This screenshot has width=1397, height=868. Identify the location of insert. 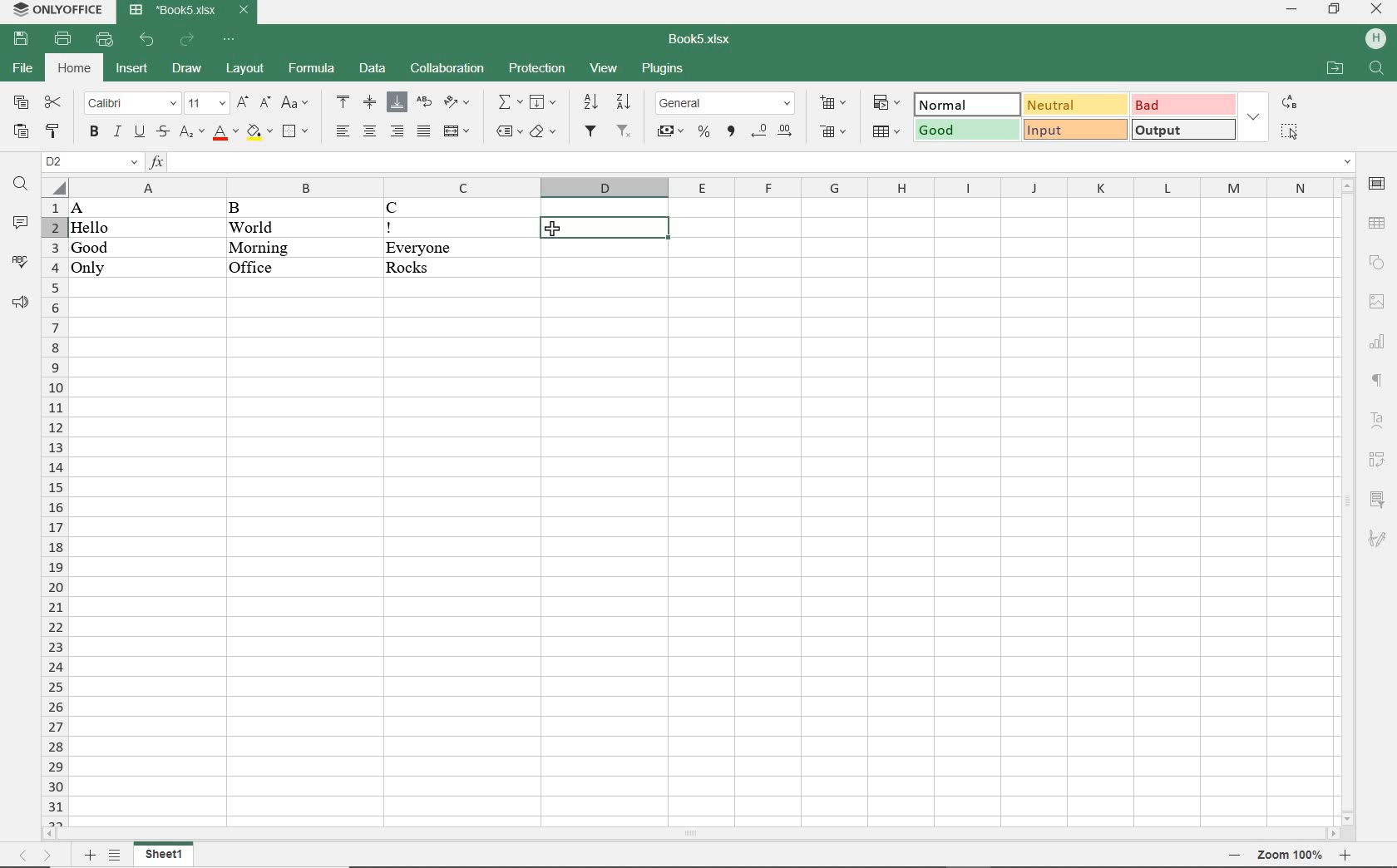
(132, 71).